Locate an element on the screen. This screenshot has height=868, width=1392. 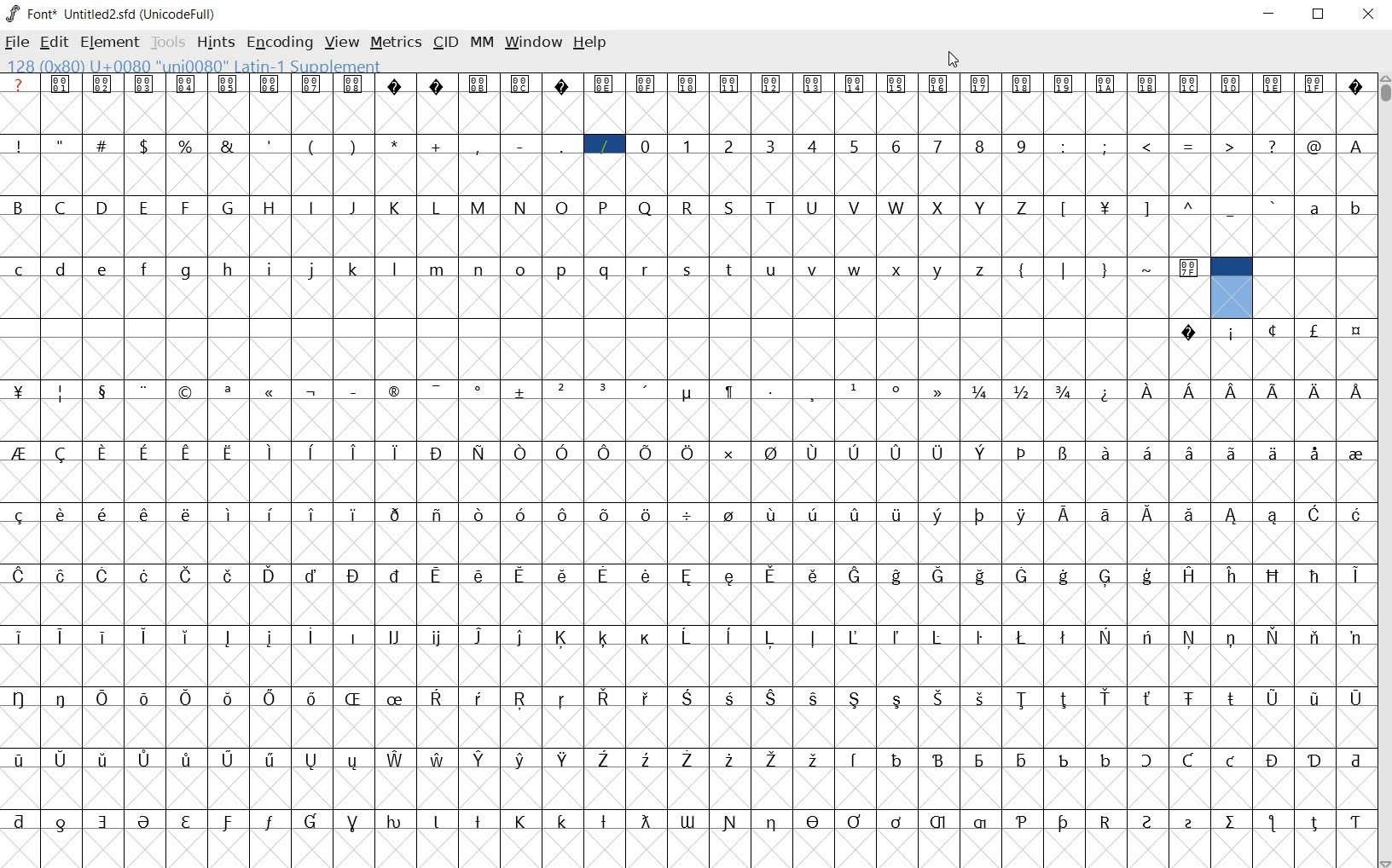
Symbol is located at coordinates (1354, 576).